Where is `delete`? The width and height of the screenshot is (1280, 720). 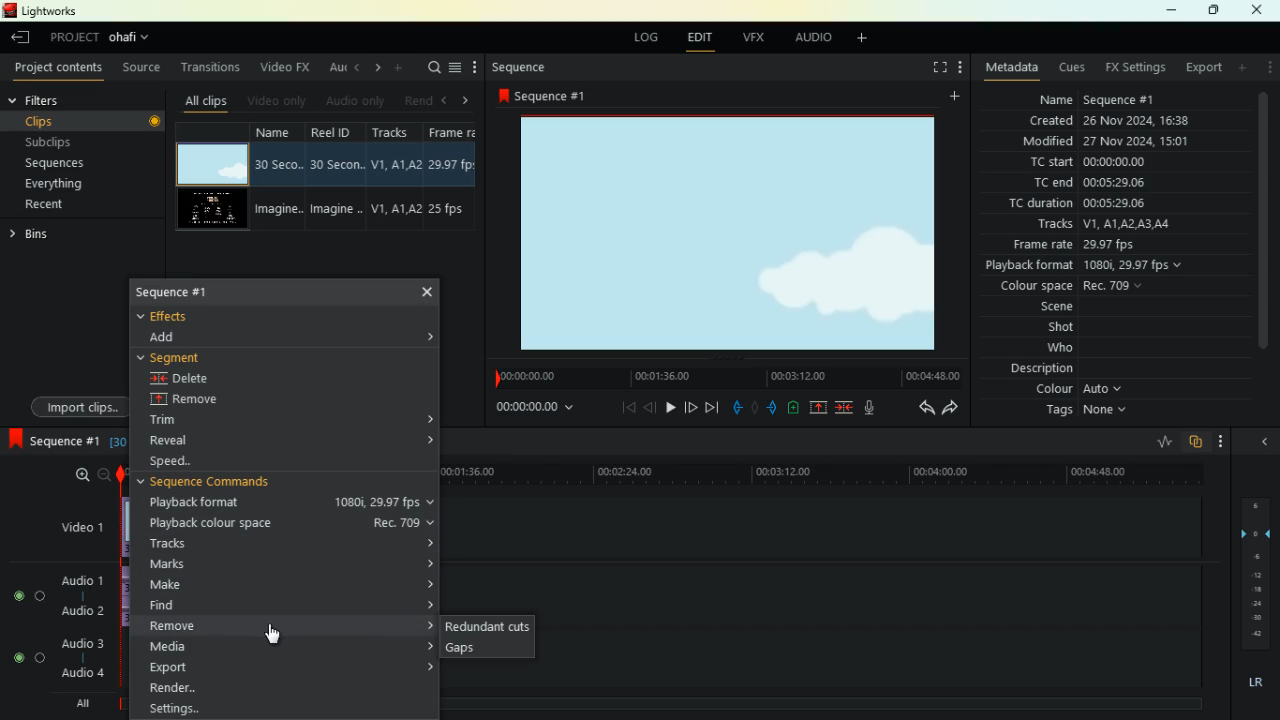 delete is located at coordinates (203, 379).